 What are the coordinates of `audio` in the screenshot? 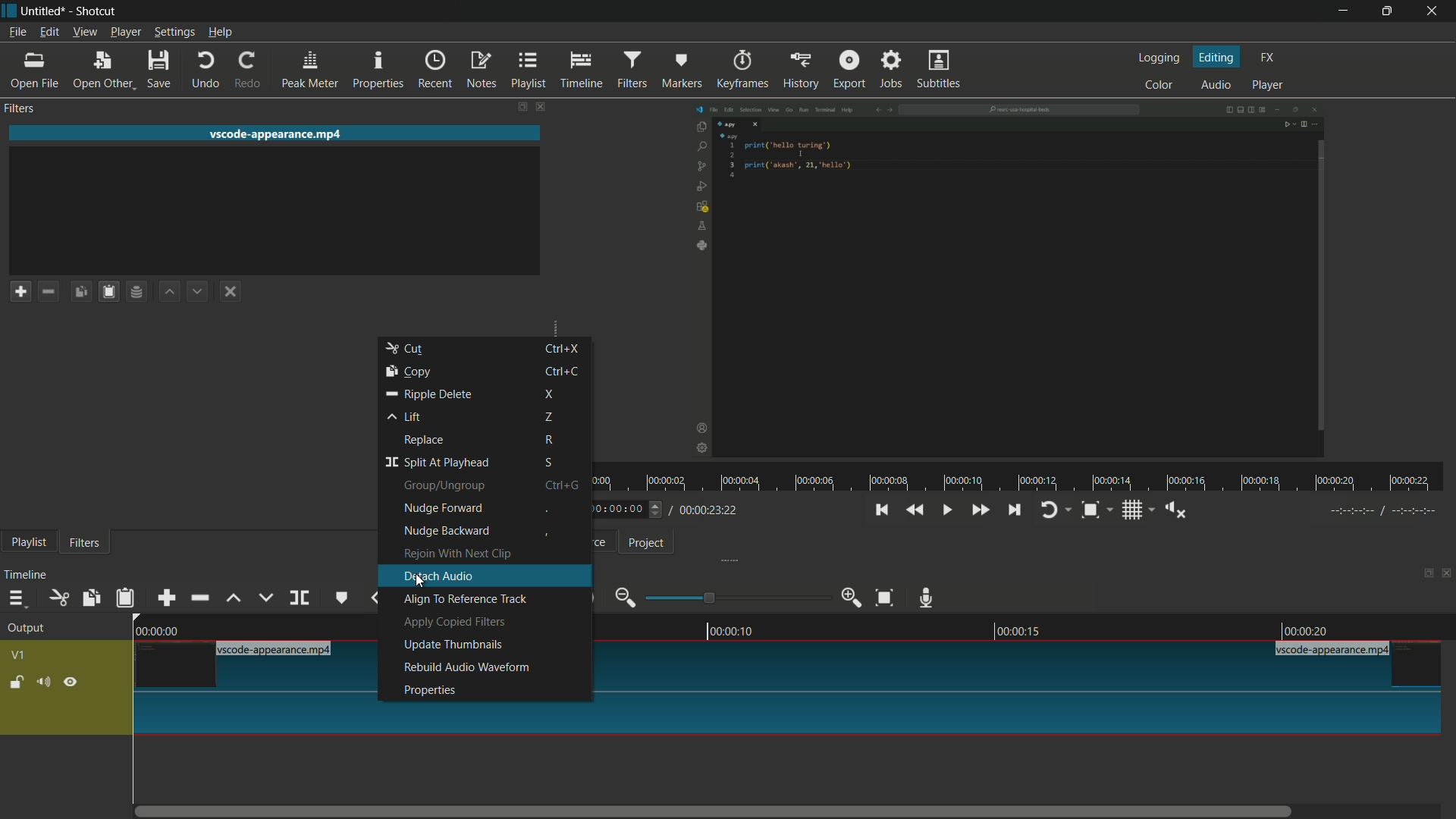 It's located at (1216, 84).